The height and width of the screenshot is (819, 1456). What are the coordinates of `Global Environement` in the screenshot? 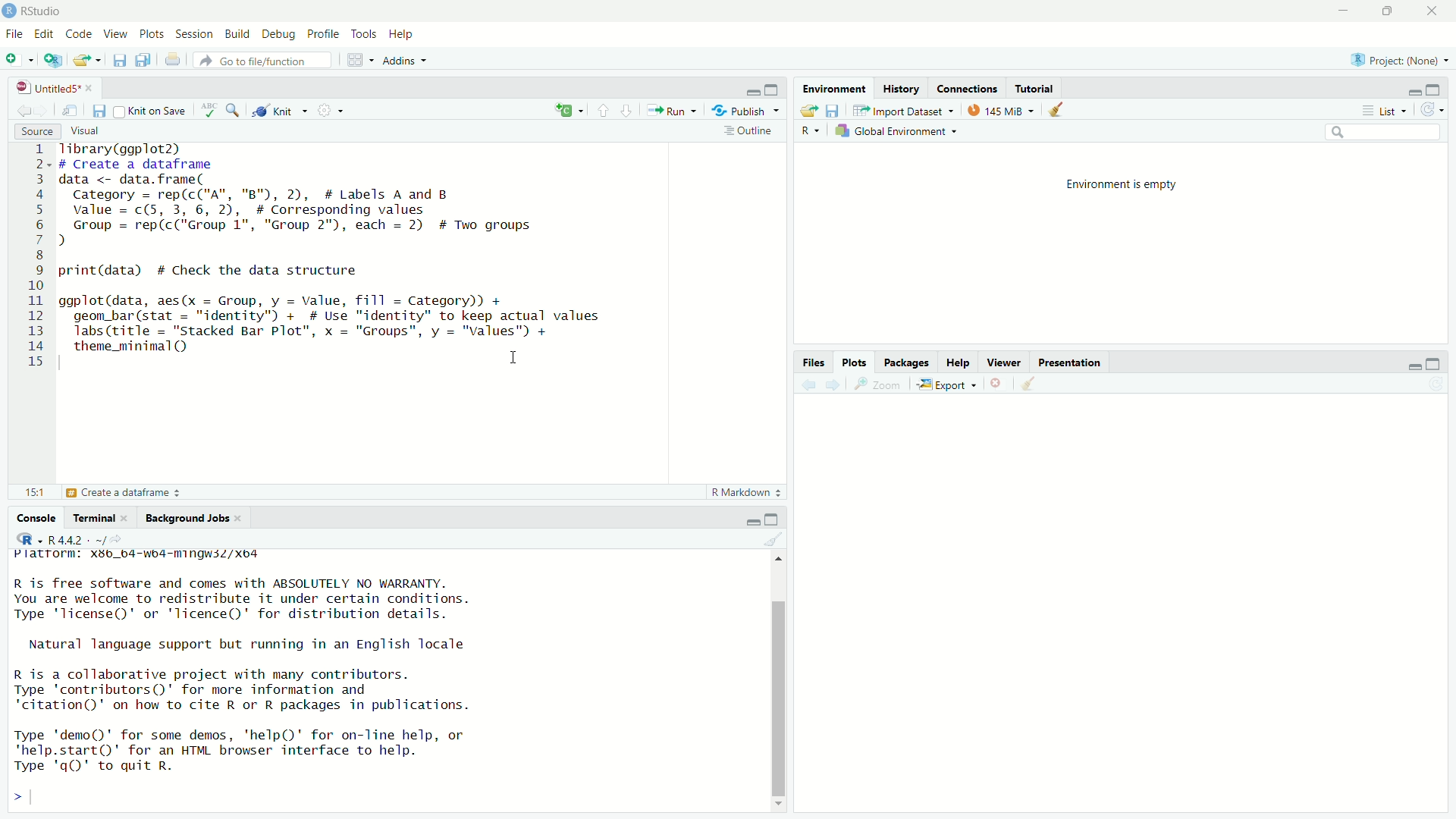 It's located at (896, 130).